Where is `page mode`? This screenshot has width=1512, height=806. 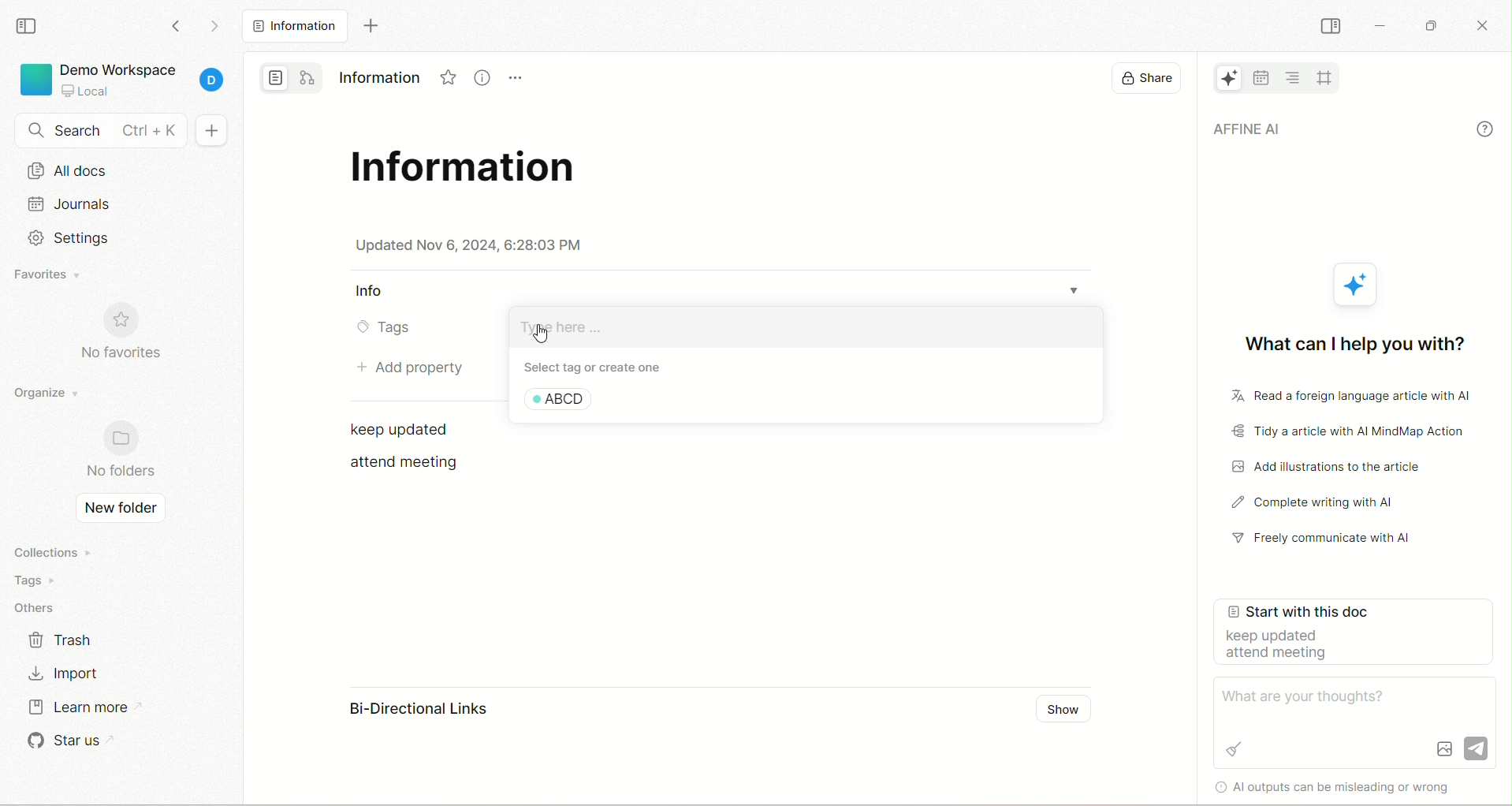 page mode is located at coordinates (274, 78).